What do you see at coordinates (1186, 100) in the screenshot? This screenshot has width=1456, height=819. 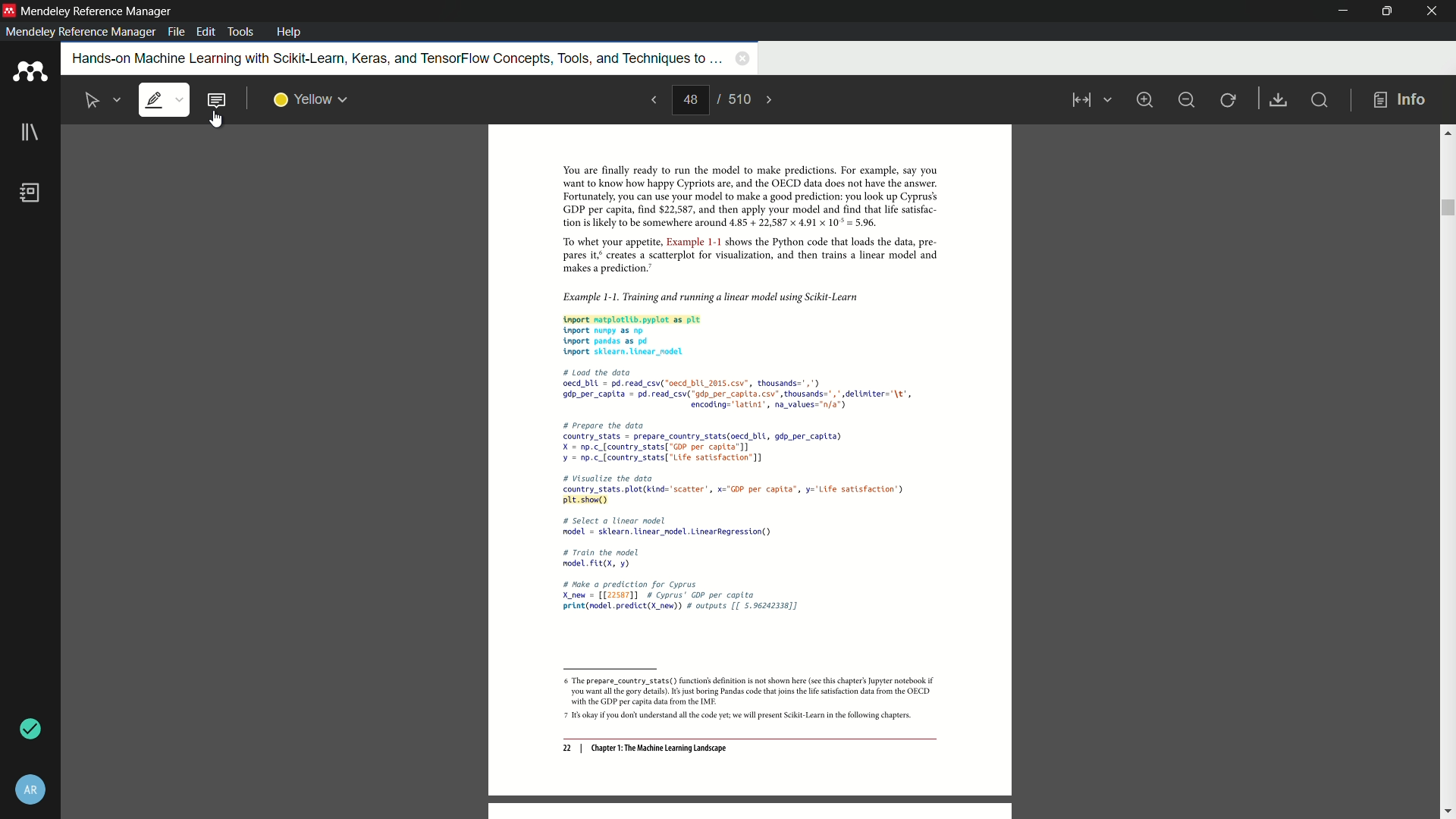 I see `minimize` at bounding box center [1186, 100].